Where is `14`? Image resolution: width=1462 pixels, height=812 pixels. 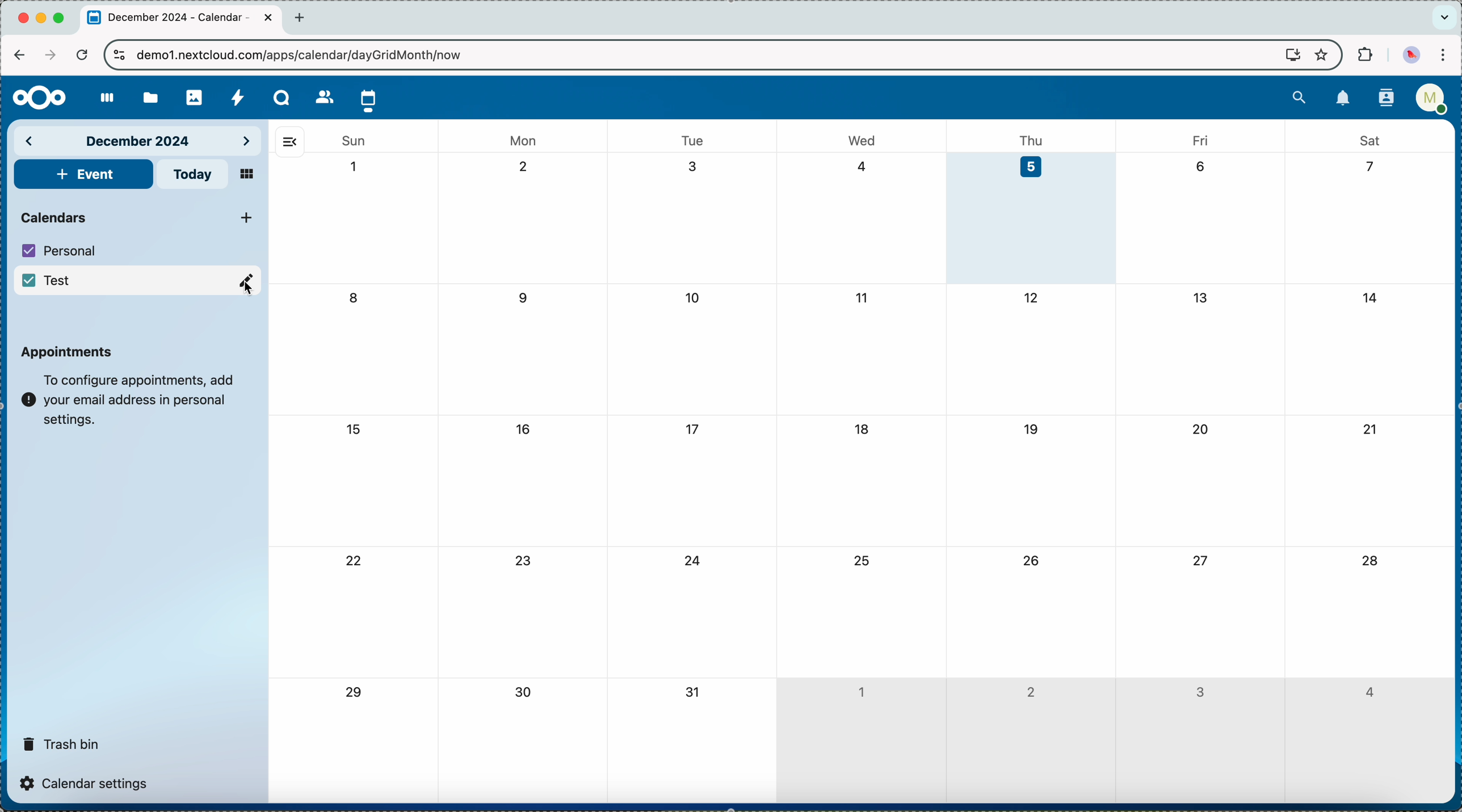
14 is located at coordinates (1374, 296).